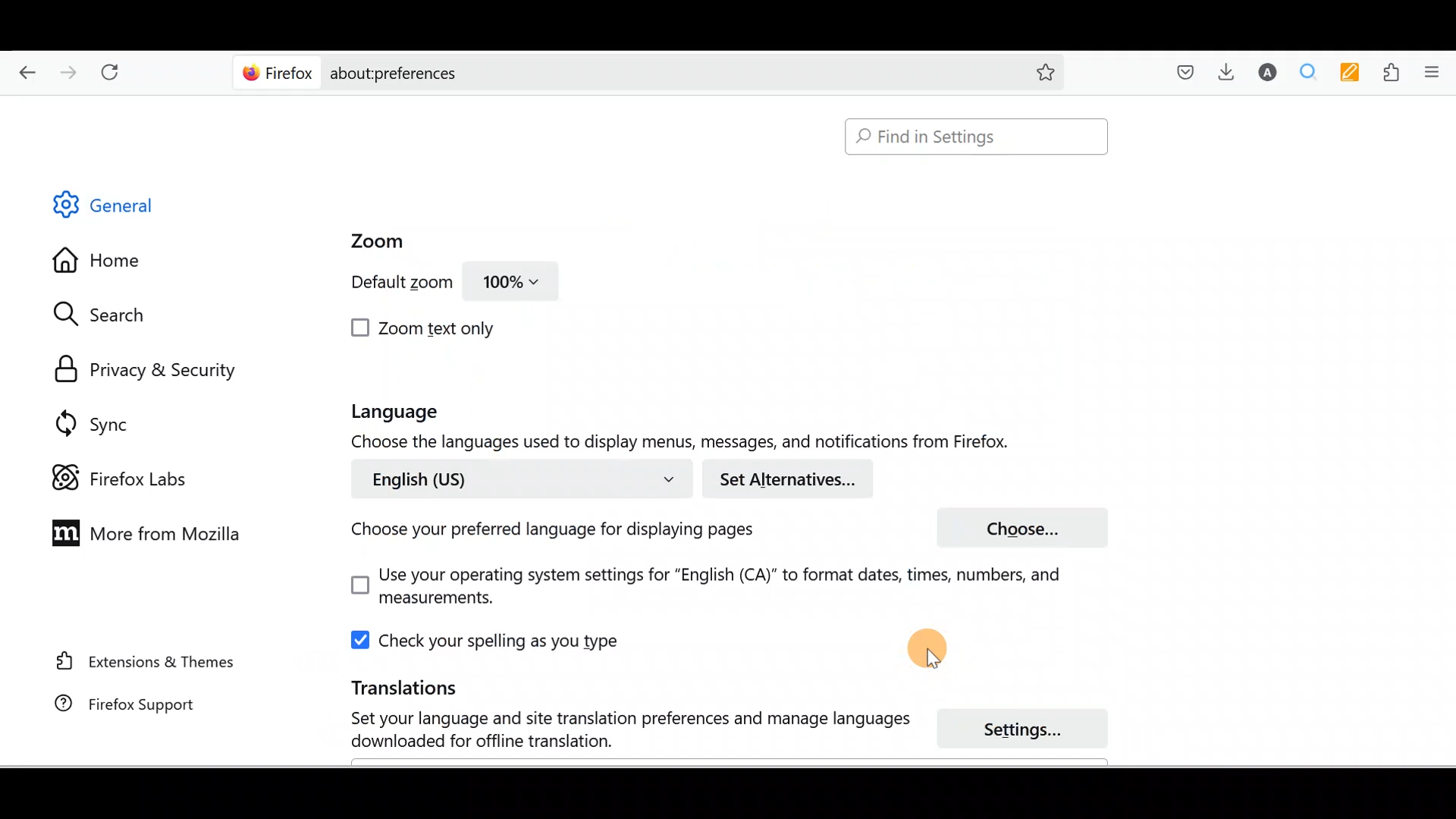 This screenshot has height=819, width=1456. I want to click on Multi keywords highlighter, so click(1354, 74).